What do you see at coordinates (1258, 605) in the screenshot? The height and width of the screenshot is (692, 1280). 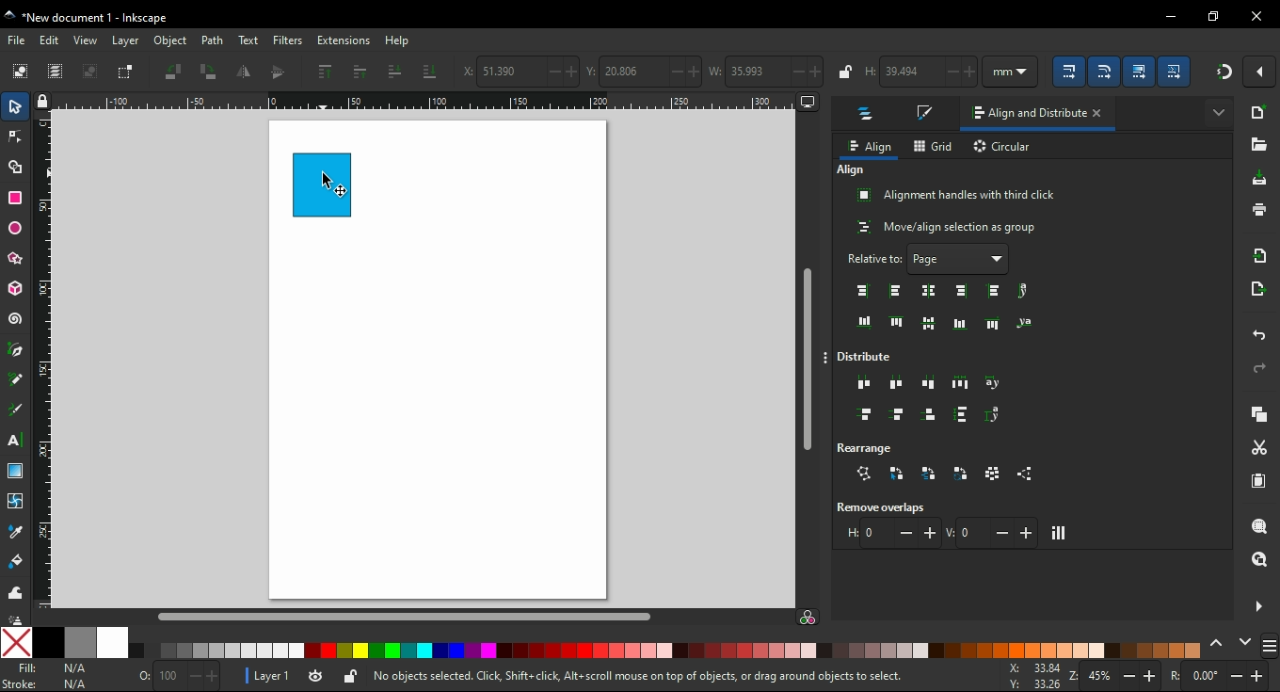 I see `more options` at bounding box center [1258, 605].